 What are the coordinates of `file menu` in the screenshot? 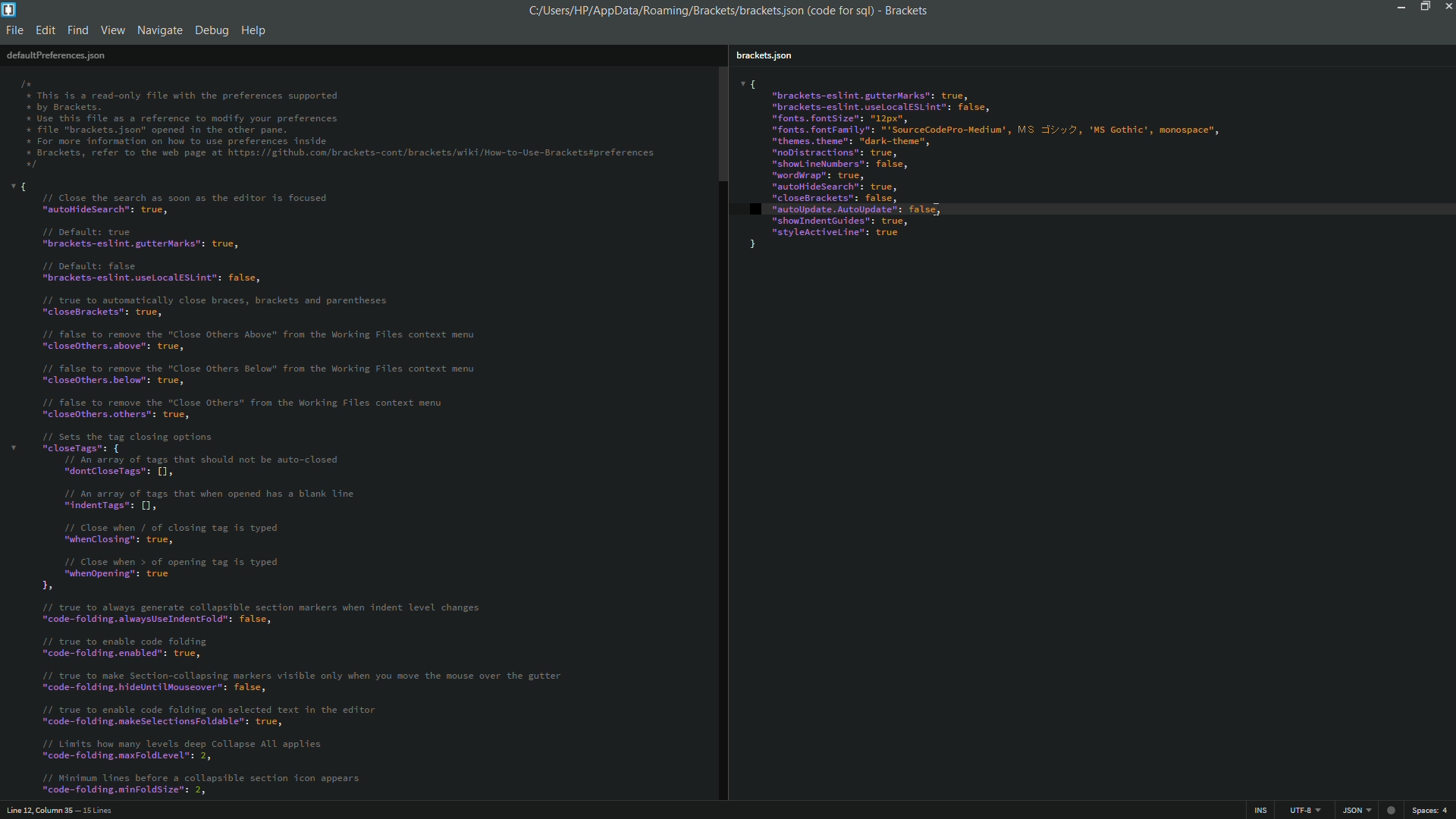 It's located at (15, 30).